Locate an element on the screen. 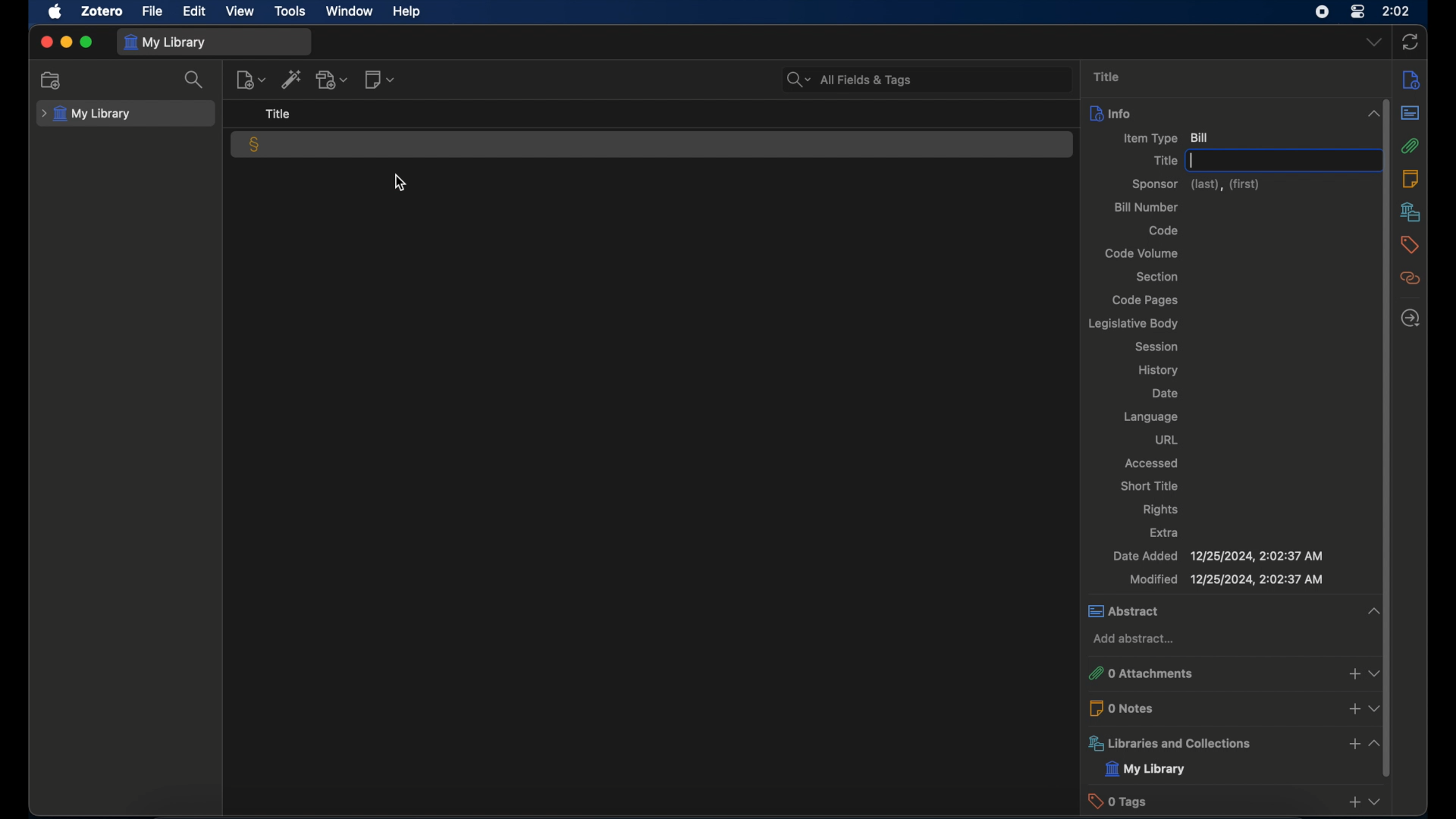 The image size is (1456, 819). sync is located at coordinates (1411, 42).